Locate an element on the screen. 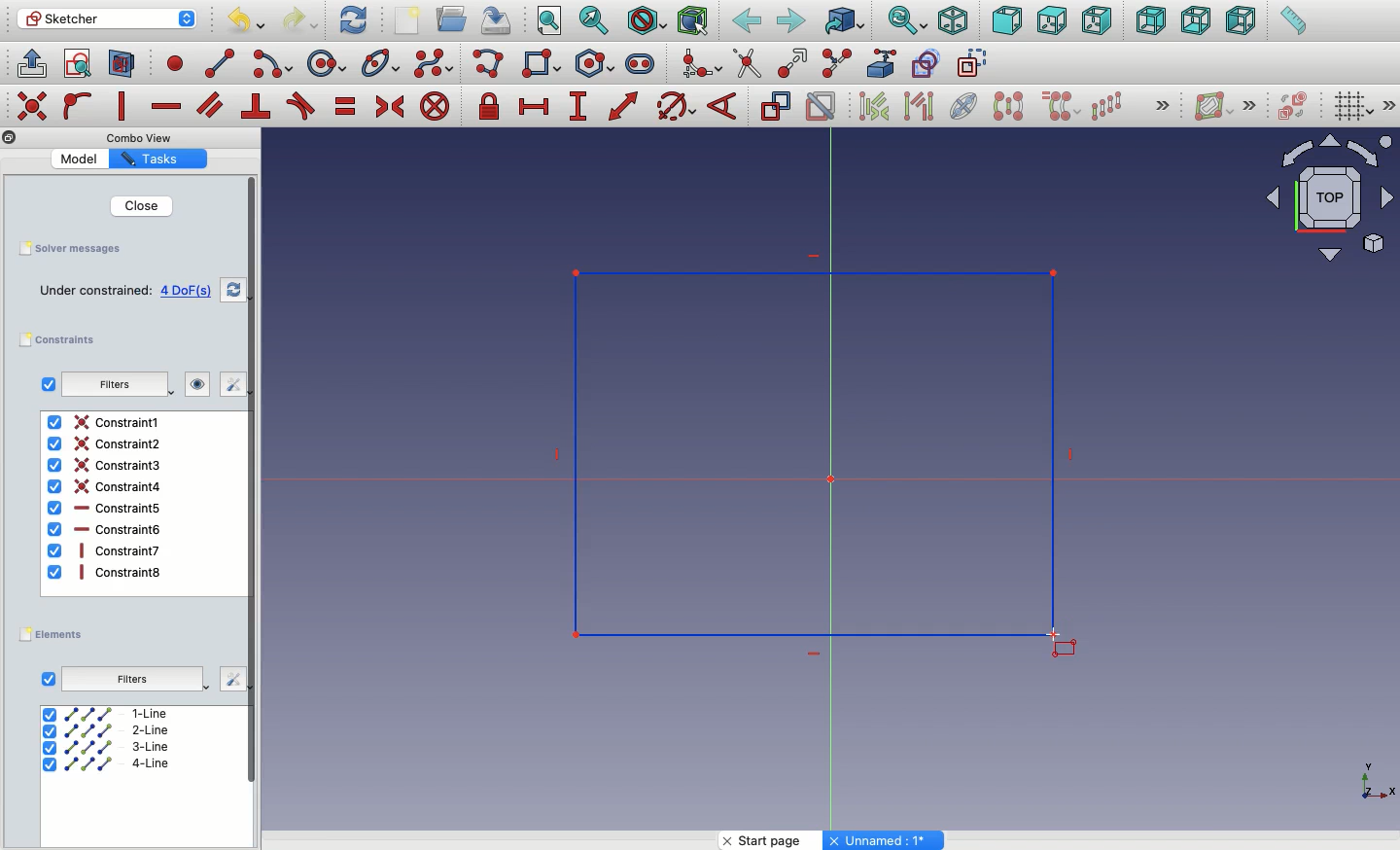 This screenshot has height=850, width=1400. Back is located at coordinates (748, 21).